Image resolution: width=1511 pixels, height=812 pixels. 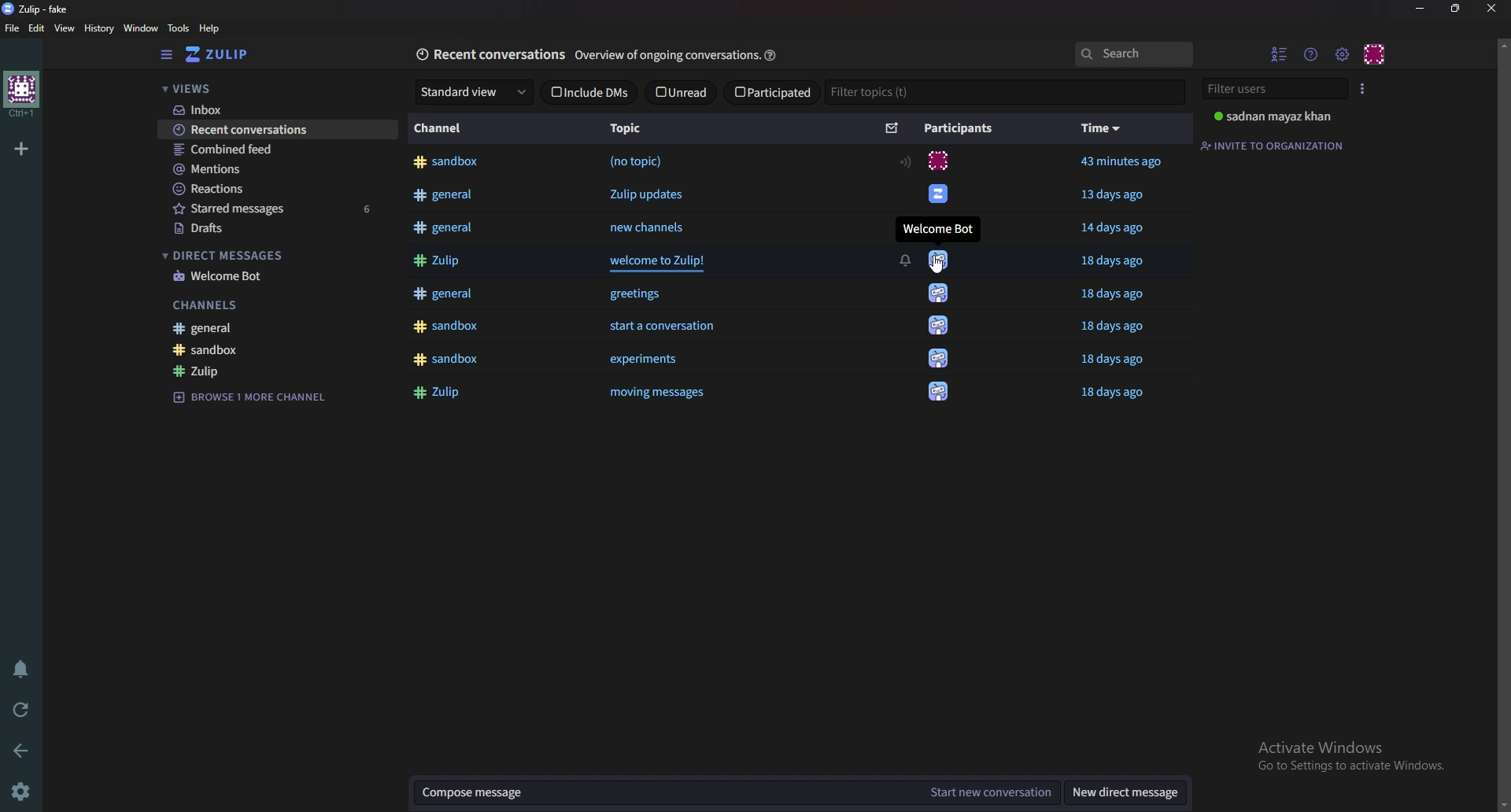 What do you see at coordinates (648, 361) in the screenshot?
I see `experiments` at bounding box center [648, 361].